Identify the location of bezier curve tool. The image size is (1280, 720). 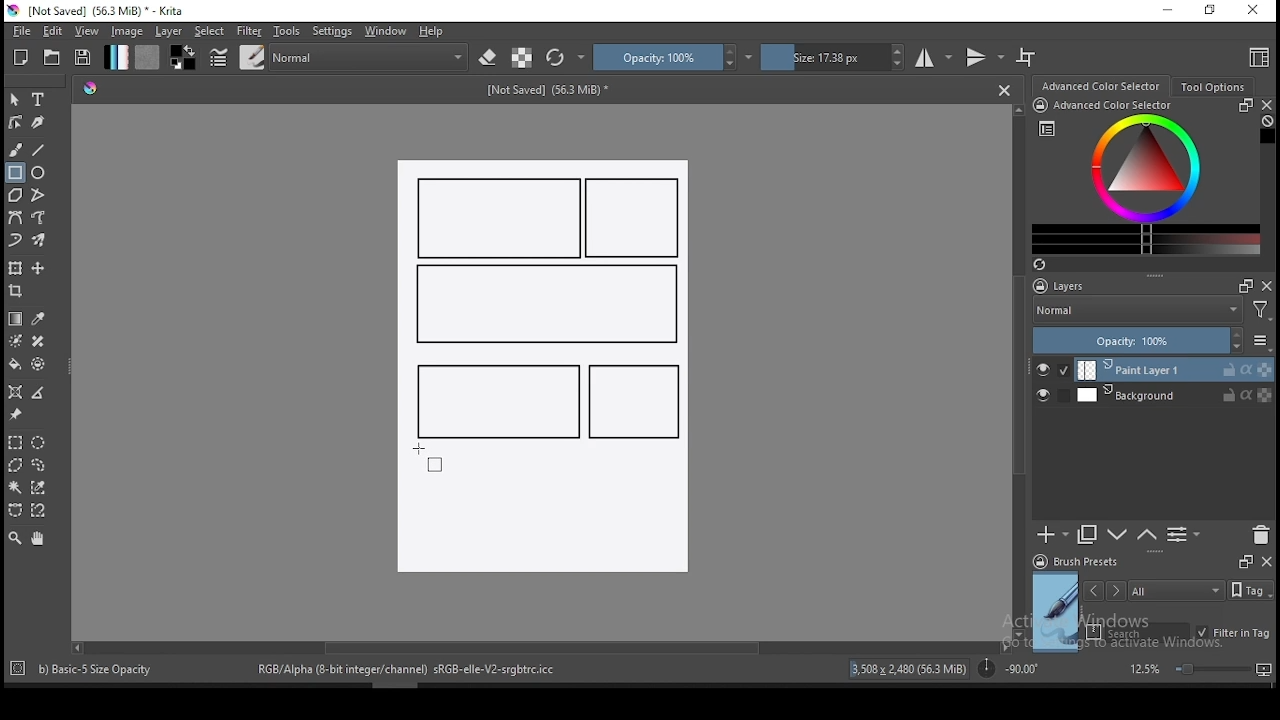
(14, 219).